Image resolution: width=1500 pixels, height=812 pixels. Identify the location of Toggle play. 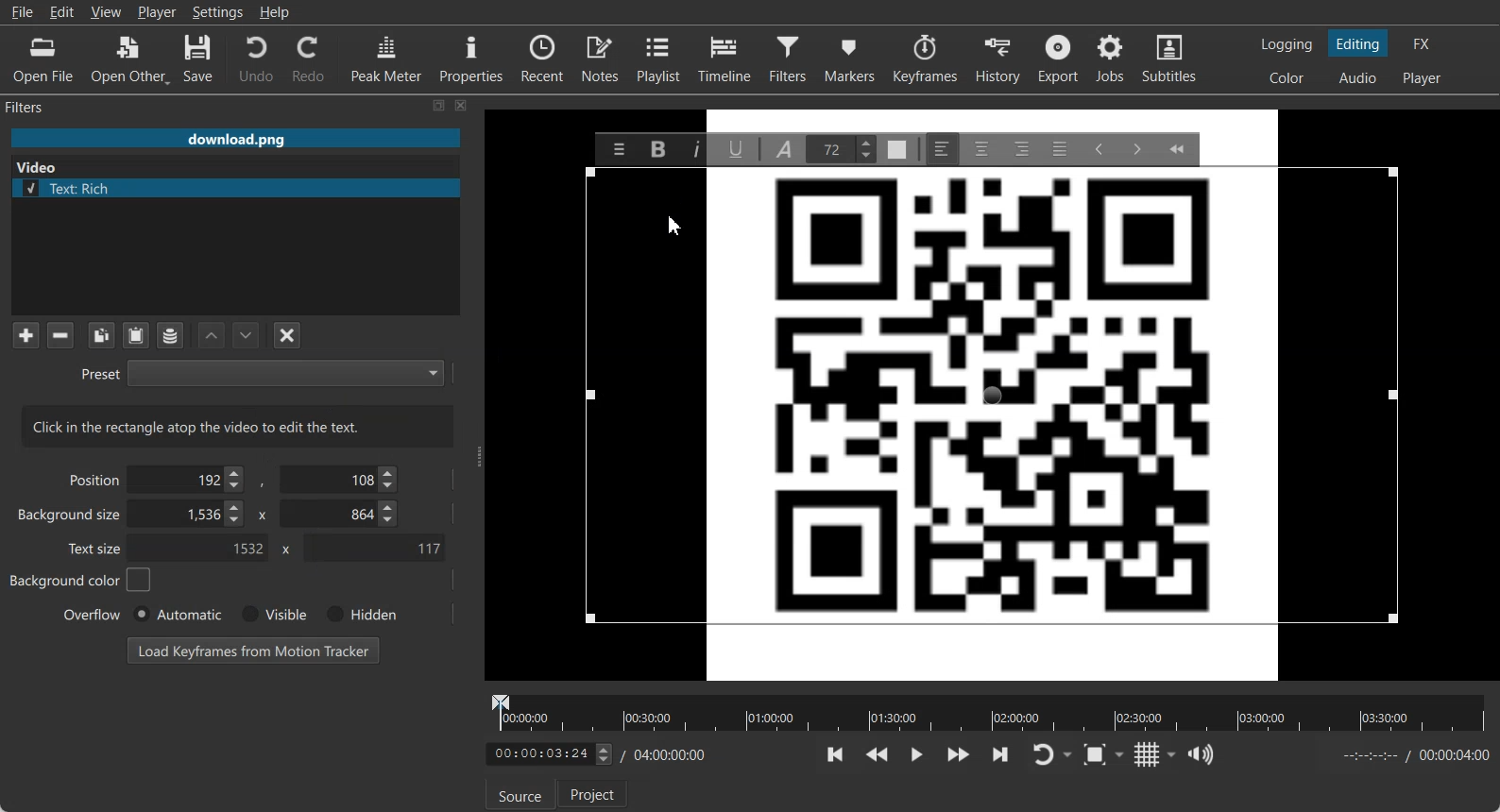
(917, 754).